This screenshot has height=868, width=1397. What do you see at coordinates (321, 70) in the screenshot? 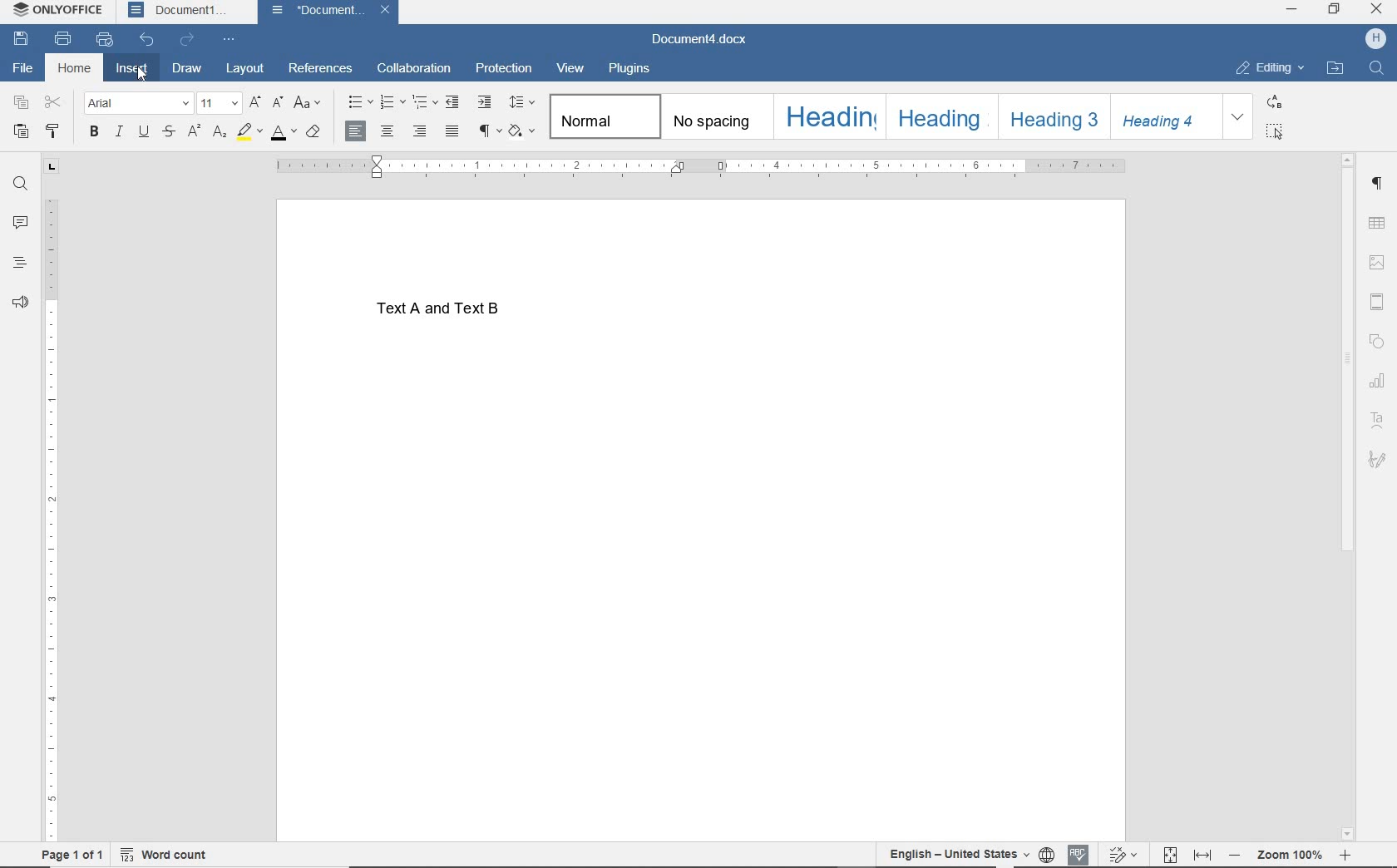
I see `REFERENCES` at bounding box center [321, 70].